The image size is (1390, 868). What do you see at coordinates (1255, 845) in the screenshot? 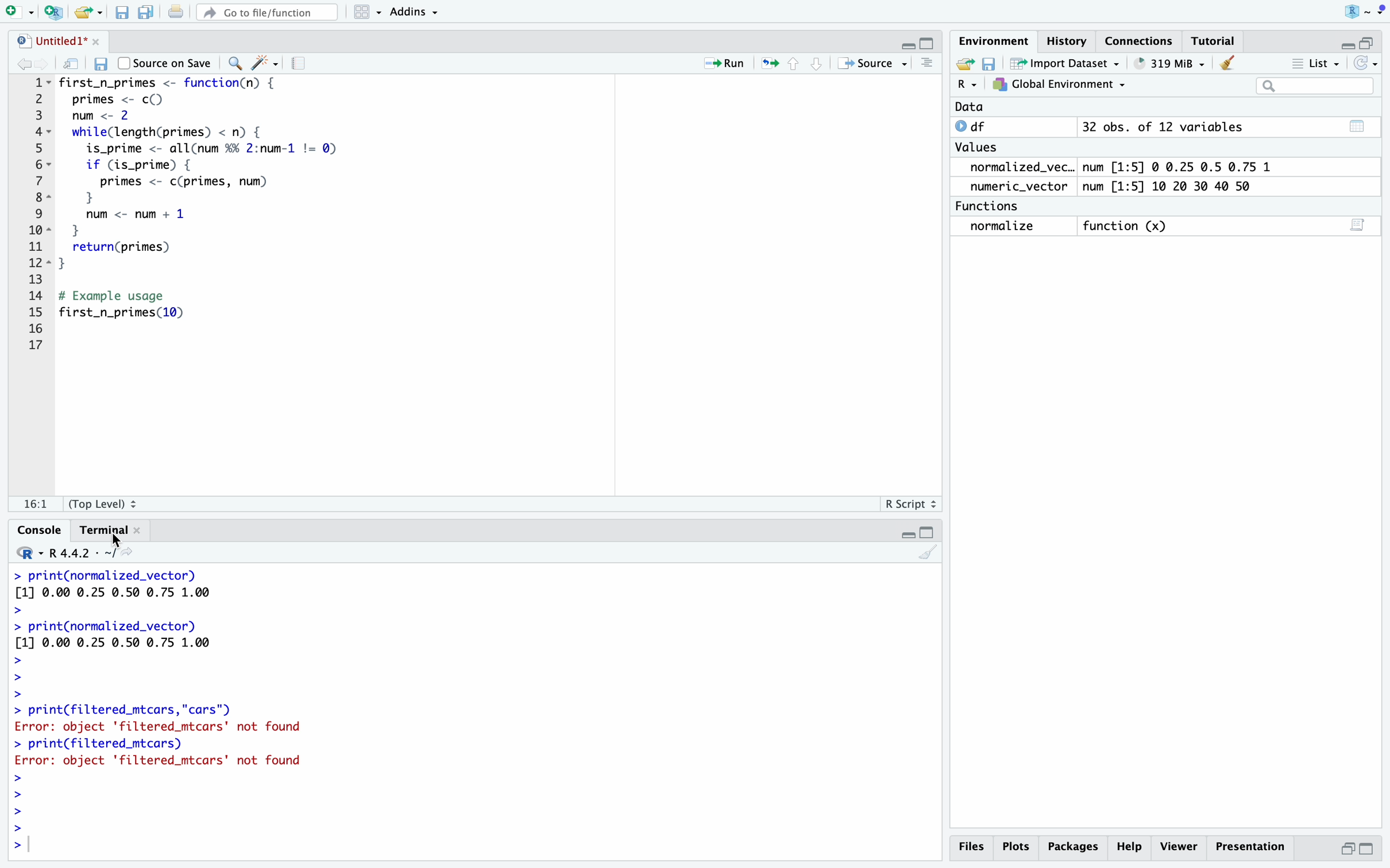
I see `Presentation` at bounding box center [1255, 845].